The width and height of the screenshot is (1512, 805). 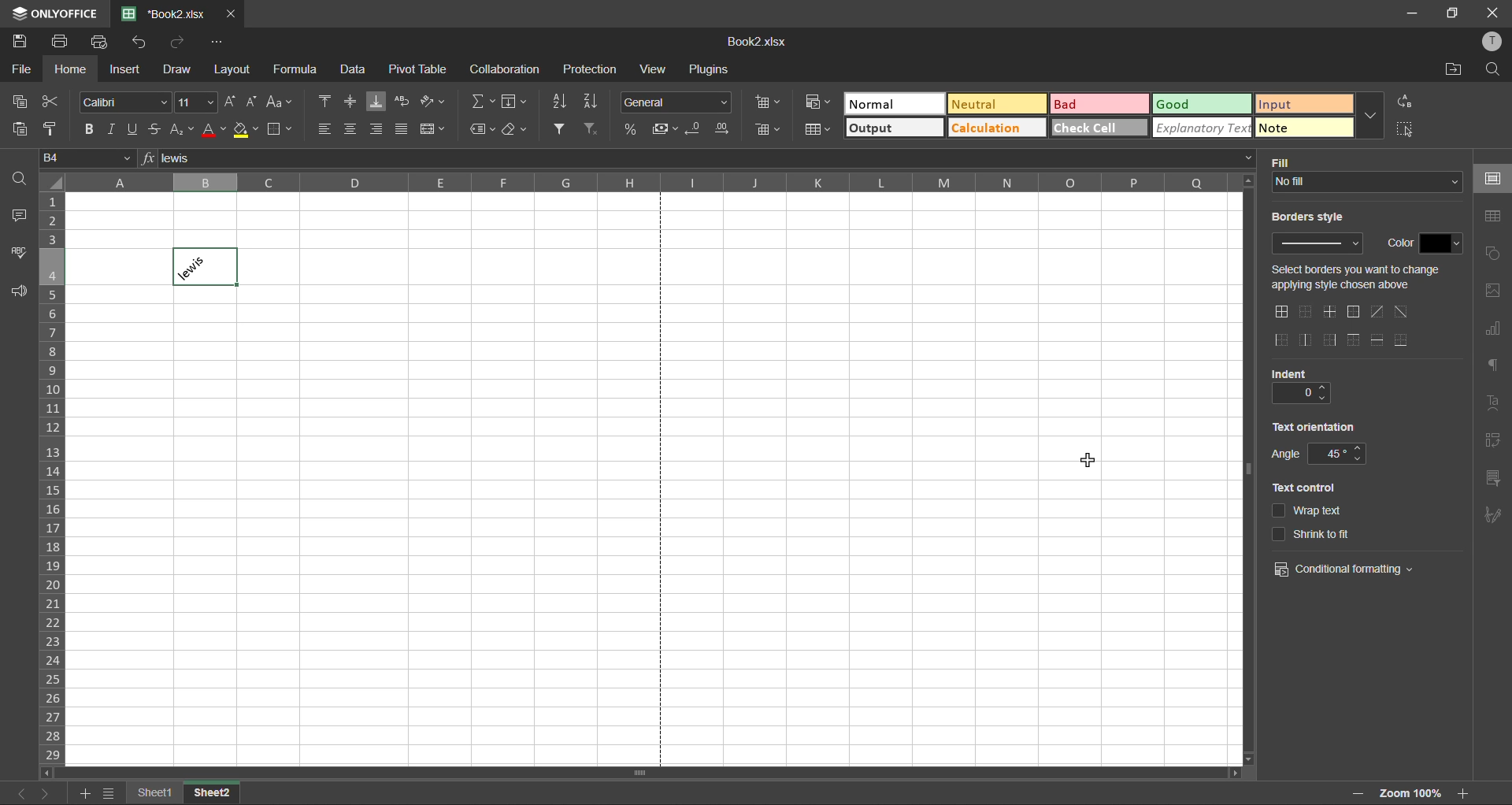 I want to click on app name, so click(x=55, y=13).